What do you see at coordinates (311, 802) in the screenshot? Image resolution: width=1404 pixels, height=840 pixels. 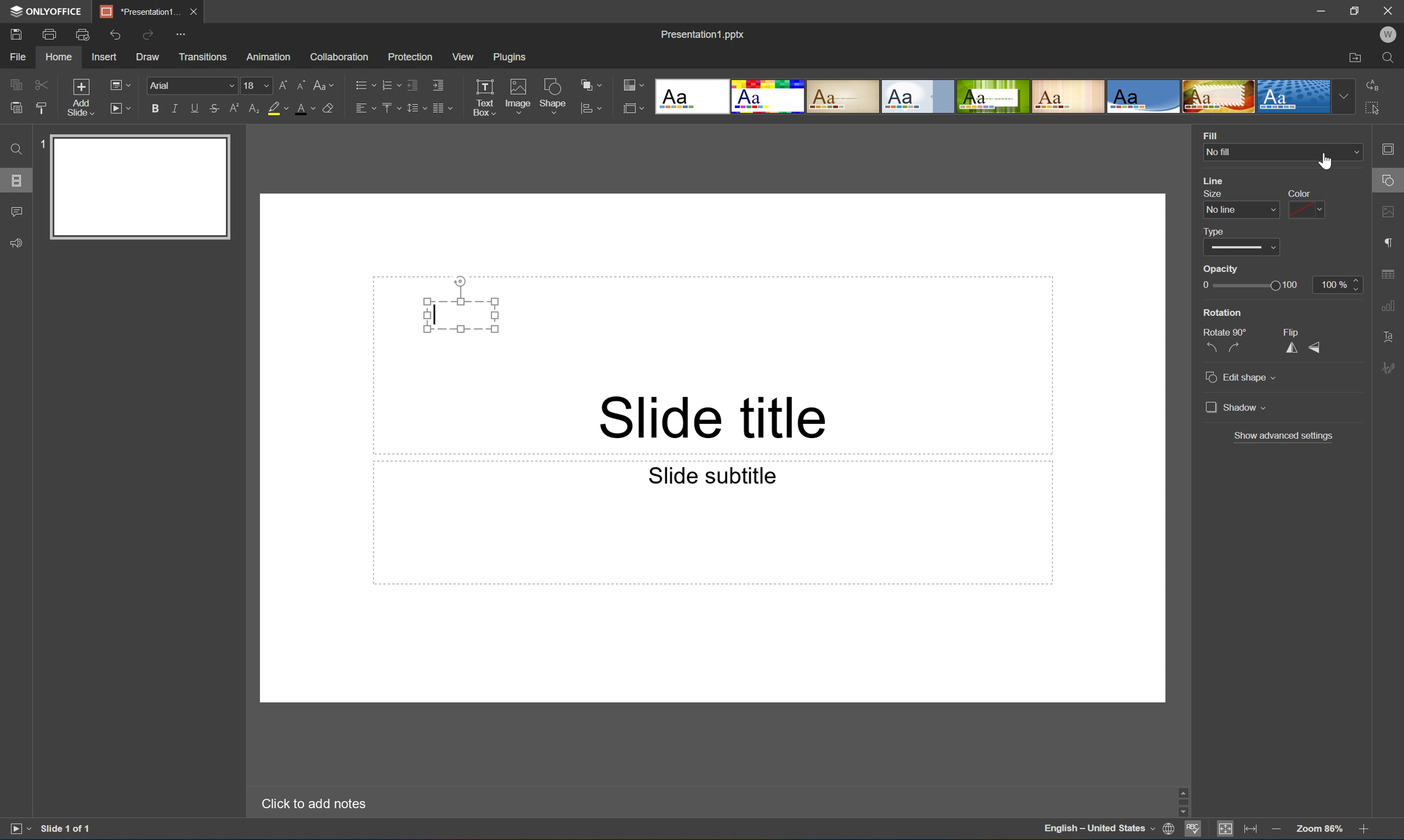 I see `Click to add notes` at bounding box center [311, 802].